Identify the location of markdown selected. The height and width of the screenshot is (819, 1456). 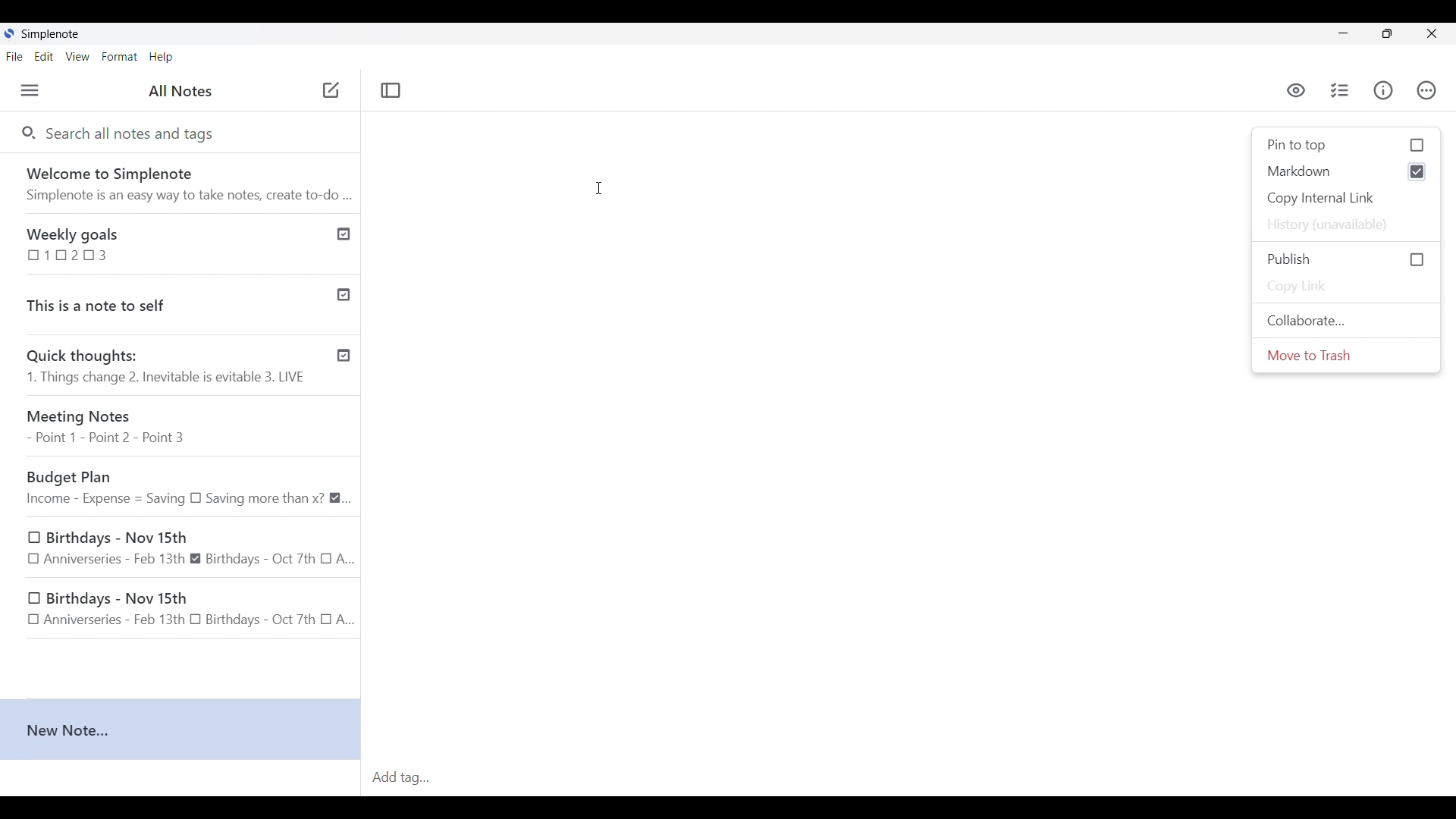
(1345, 171).